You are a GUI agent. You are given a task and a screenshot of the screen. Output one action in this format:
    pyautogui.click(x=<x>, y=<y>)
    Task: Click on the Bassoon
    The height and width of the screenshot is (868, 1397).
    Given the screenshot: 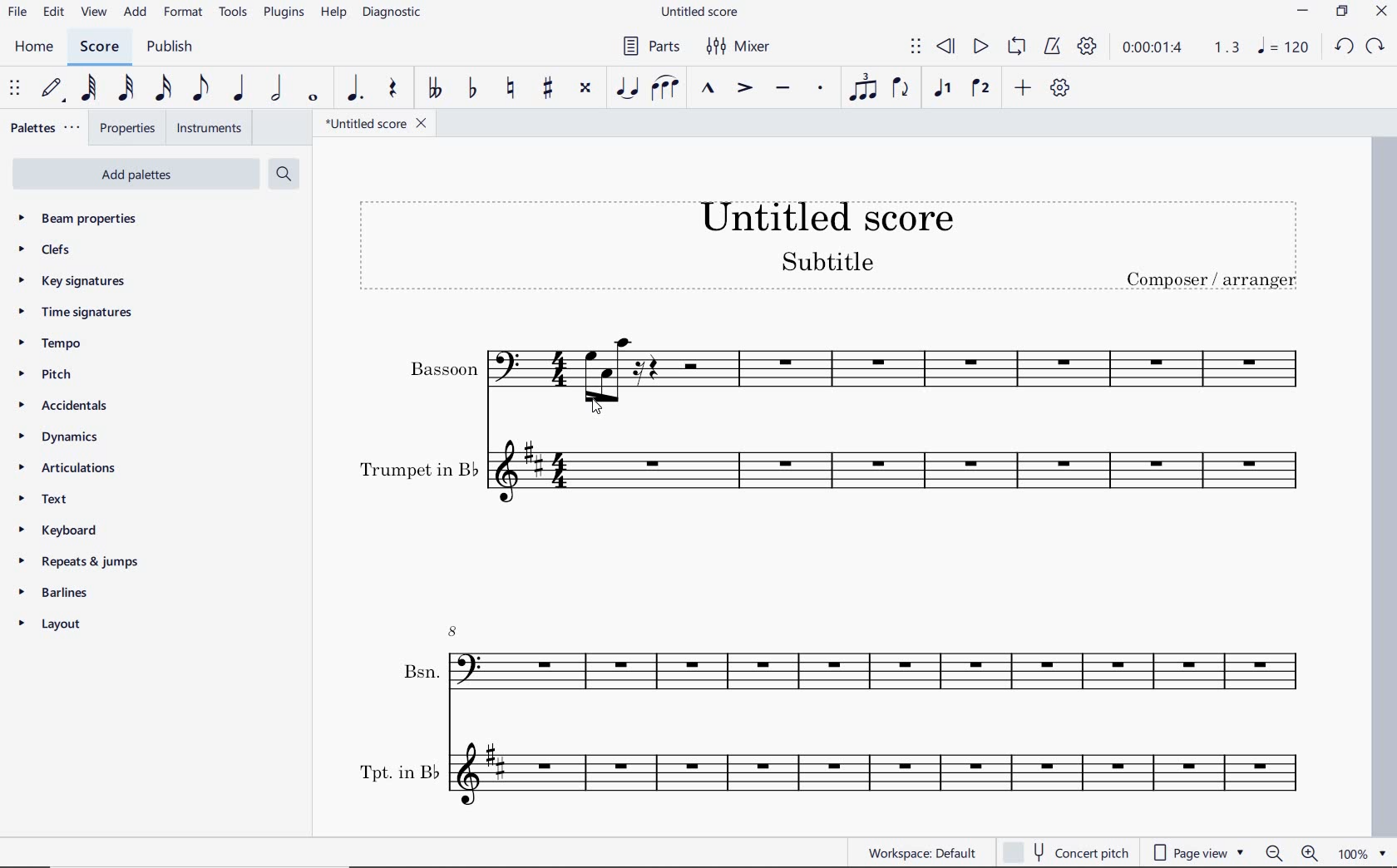 What is the action you would take?
    pyautogui.click(x=838, y=377)
    